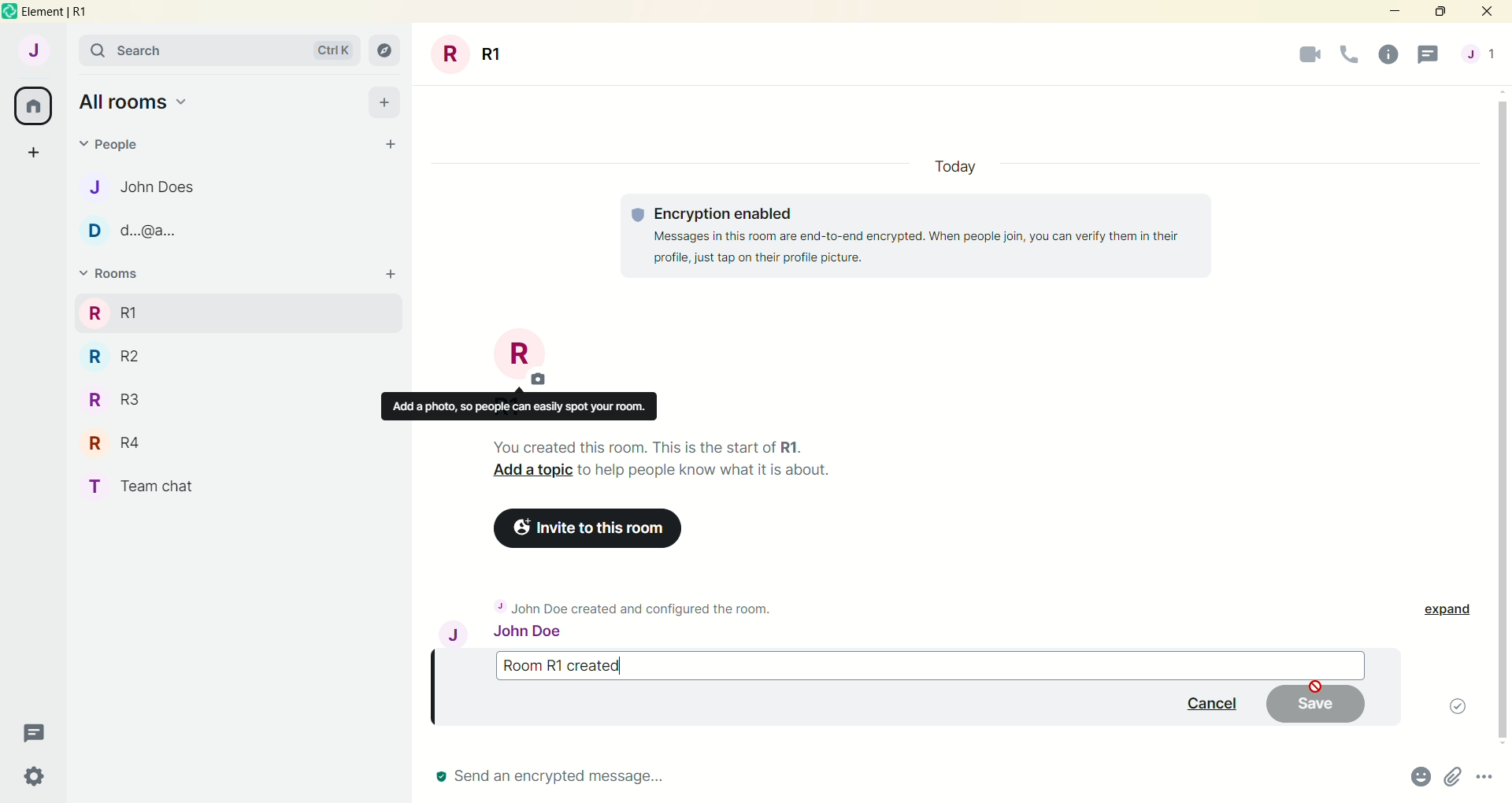 Image resolution: width=1512 pixels, height=803 pixels. I want to click on invite to this room, so click(598, 530).